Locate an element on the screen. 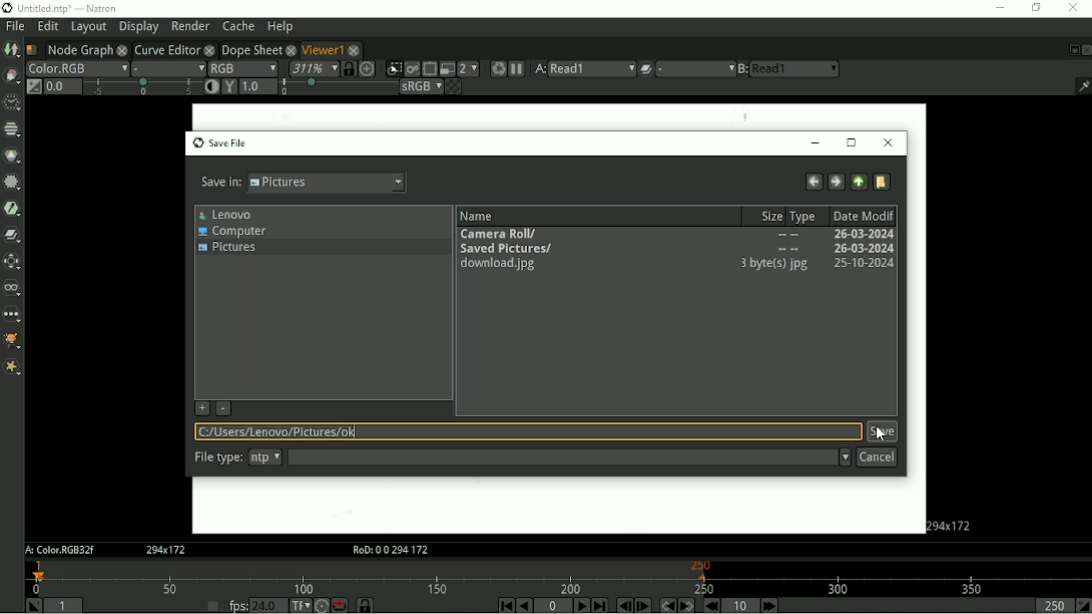 The height and width of the screenshot is (614, 1092). Forces a new render of the current frame is located at coordinates (496, 69).